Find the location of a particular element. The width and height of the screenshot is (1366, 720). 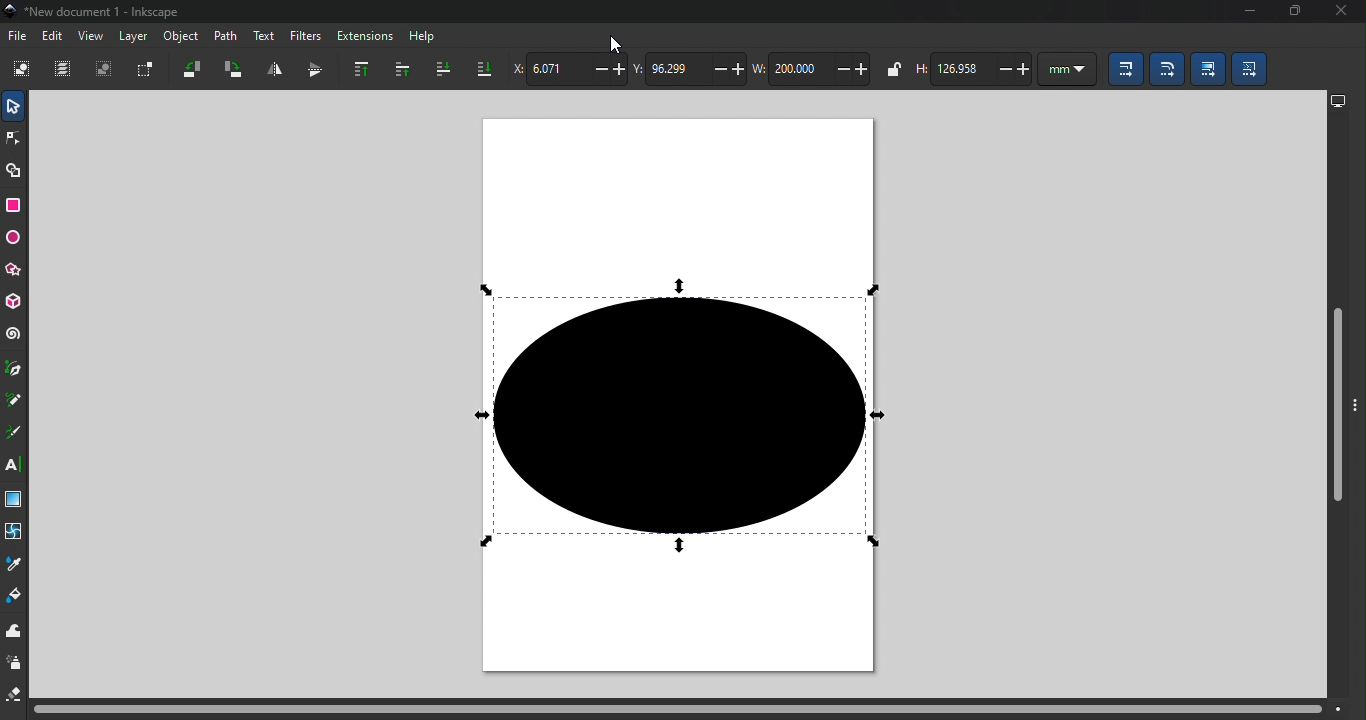

Minimize is located at coordinates (1243, 12).